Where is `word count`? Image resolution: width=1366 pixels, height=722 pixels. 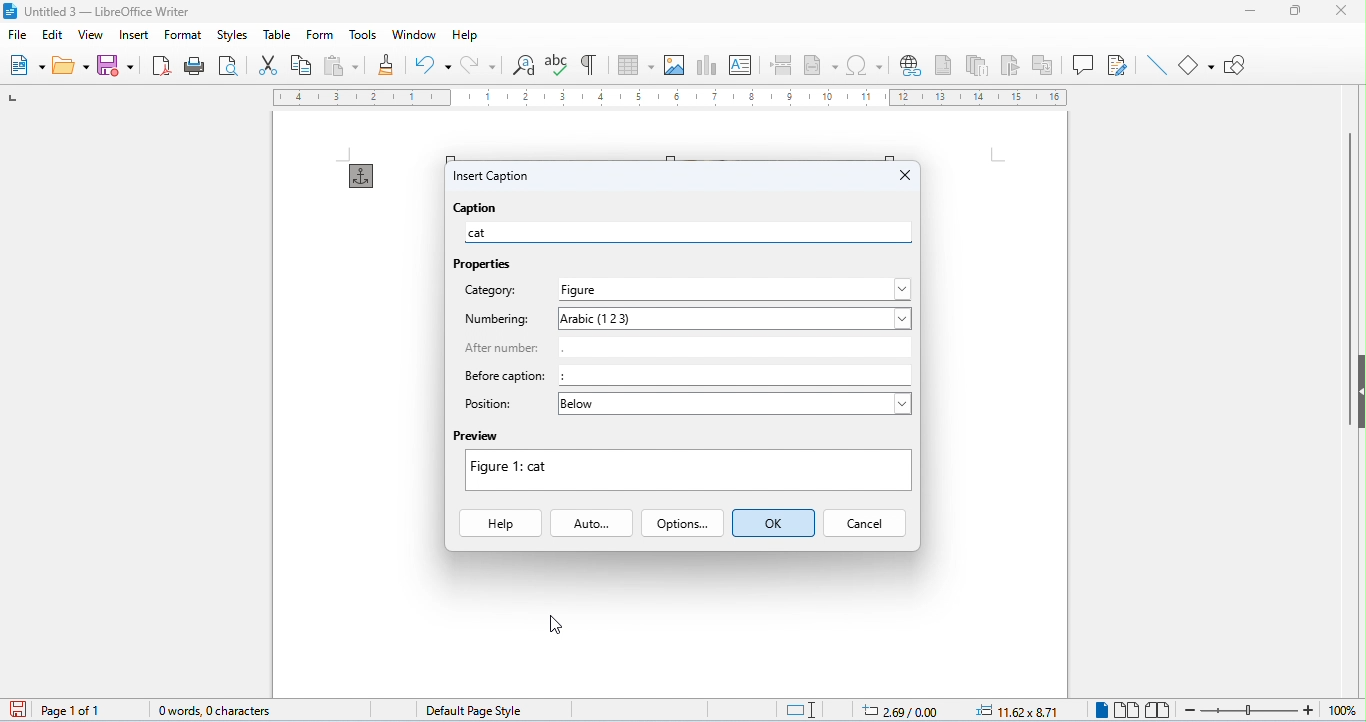
word count is located at coordinates (207, 707).